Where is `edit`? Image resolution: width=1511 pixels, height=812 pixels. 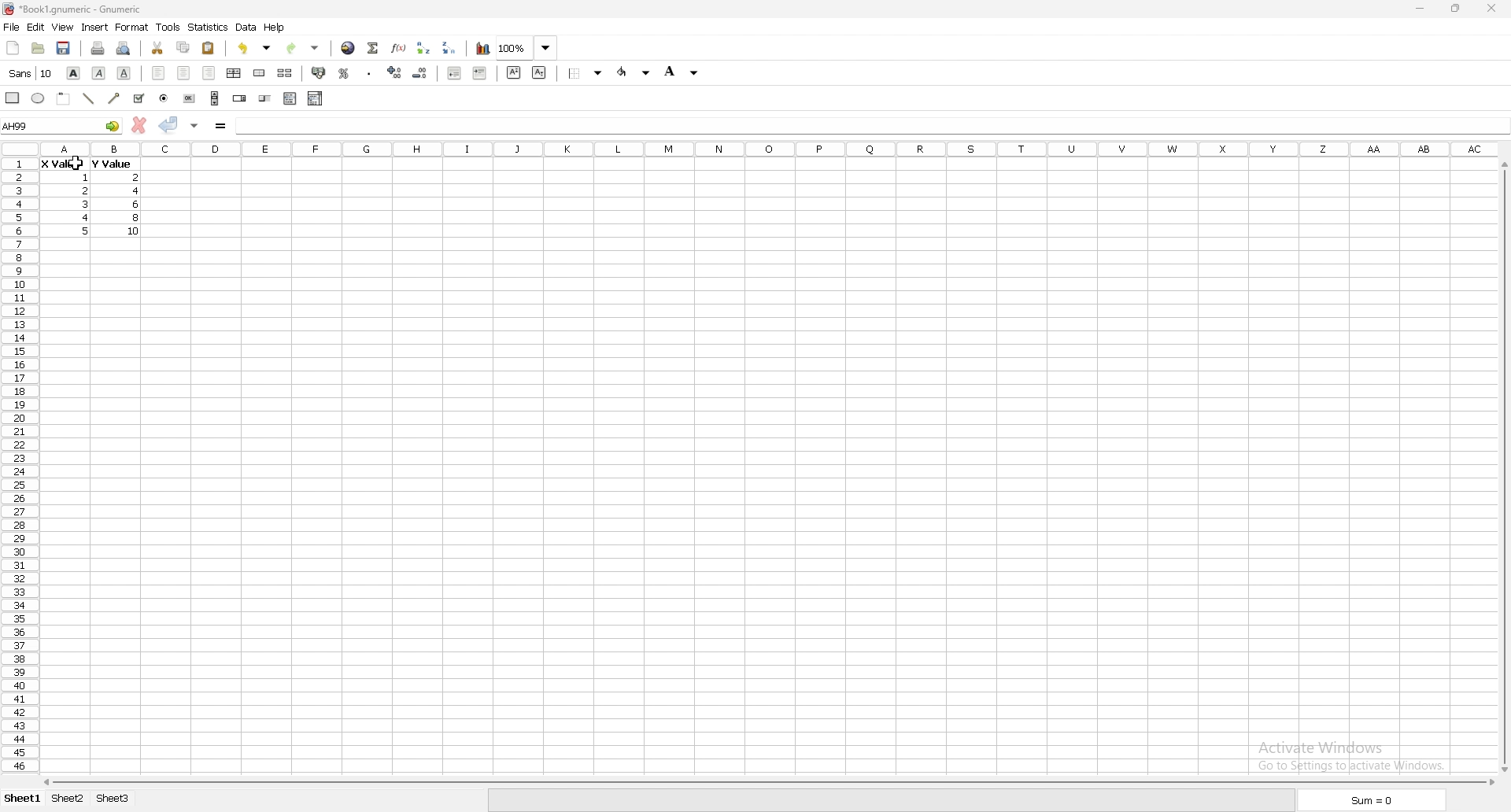 edit is located at coordinates (35, 27).